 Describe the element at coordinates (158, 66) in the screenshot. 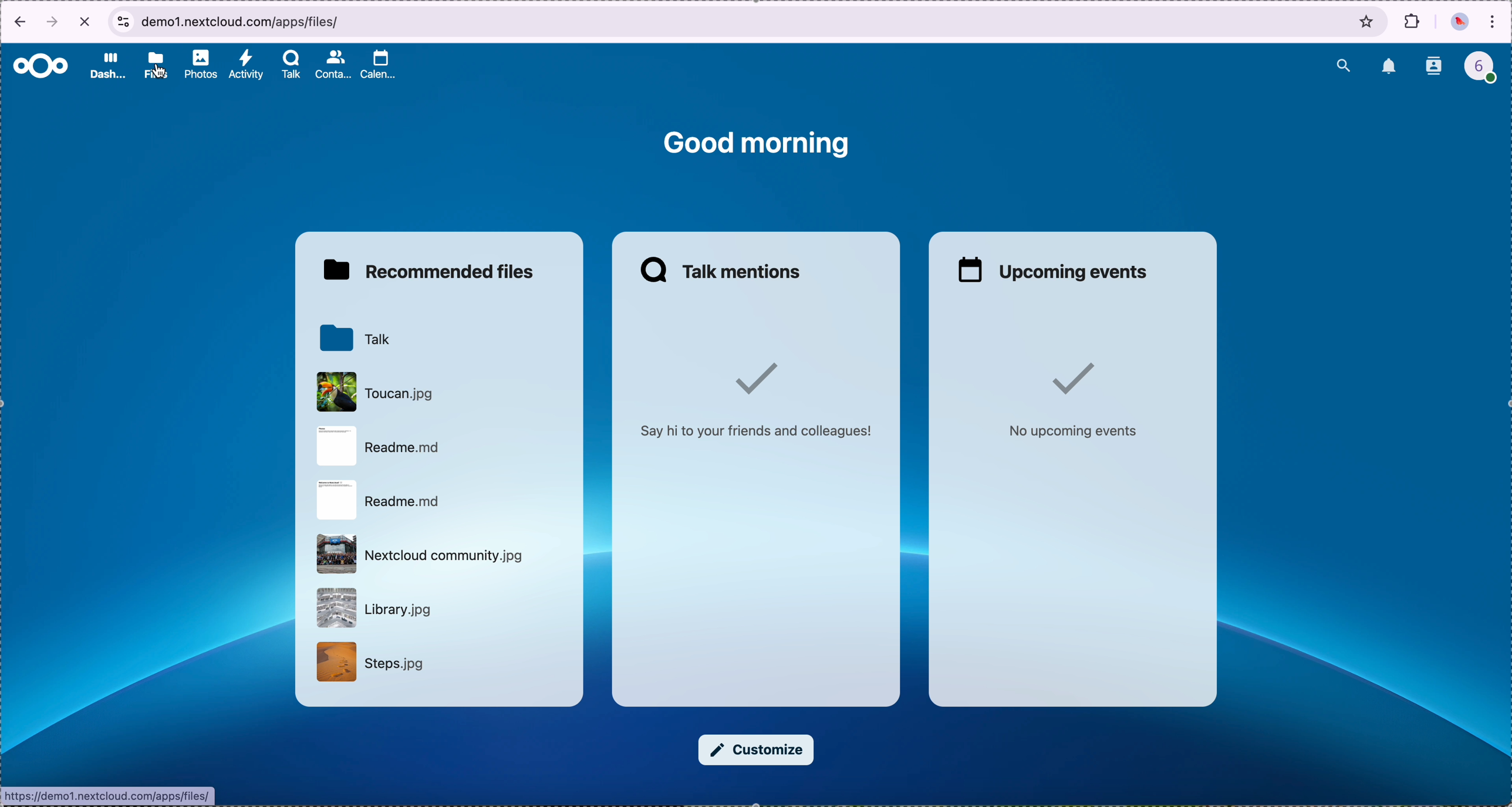

I see `click on files button` at that location.